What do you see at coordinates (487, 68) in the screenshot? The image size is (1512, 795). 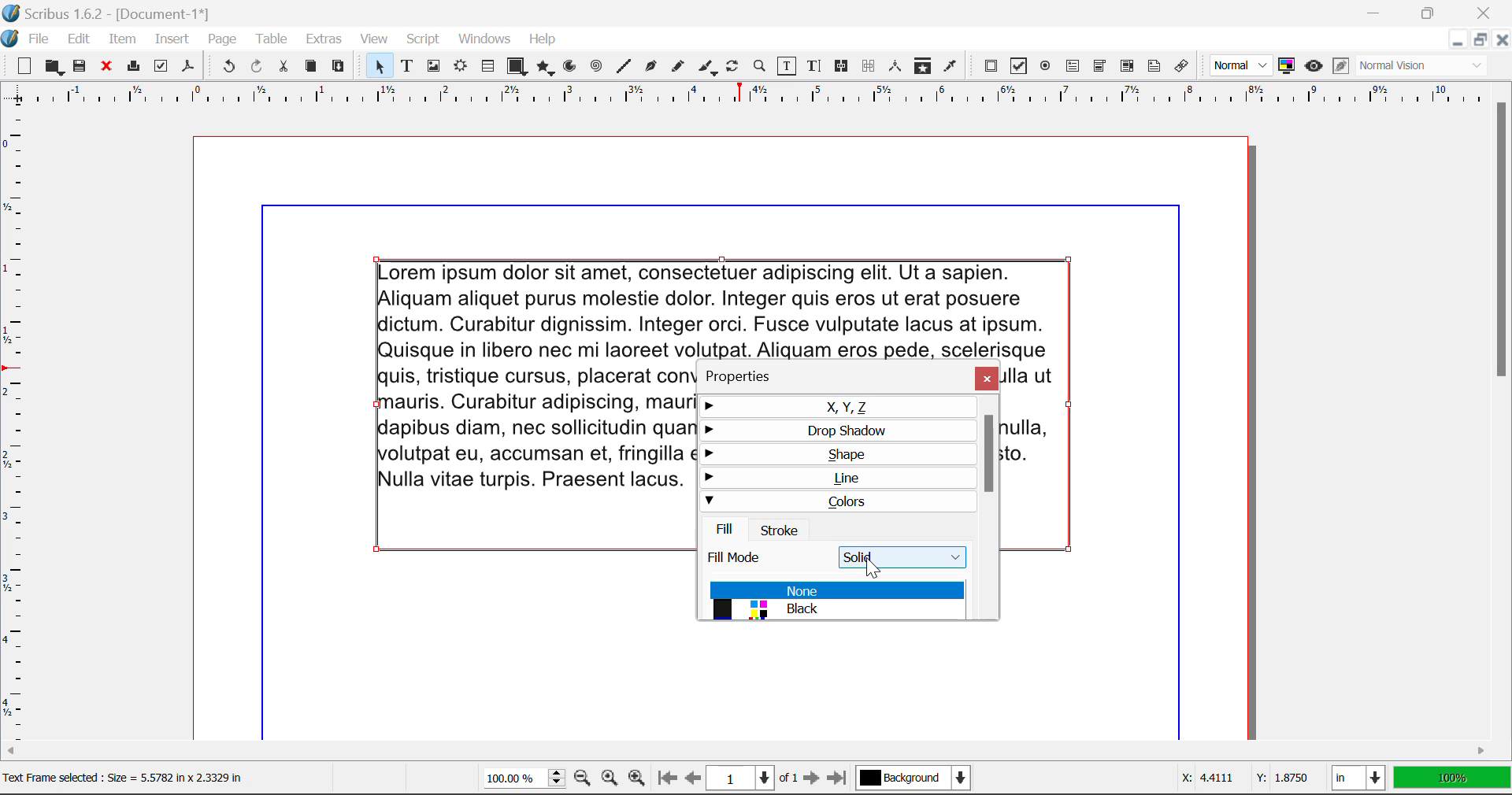 I see `Tables` at bounding box center [487, 68].